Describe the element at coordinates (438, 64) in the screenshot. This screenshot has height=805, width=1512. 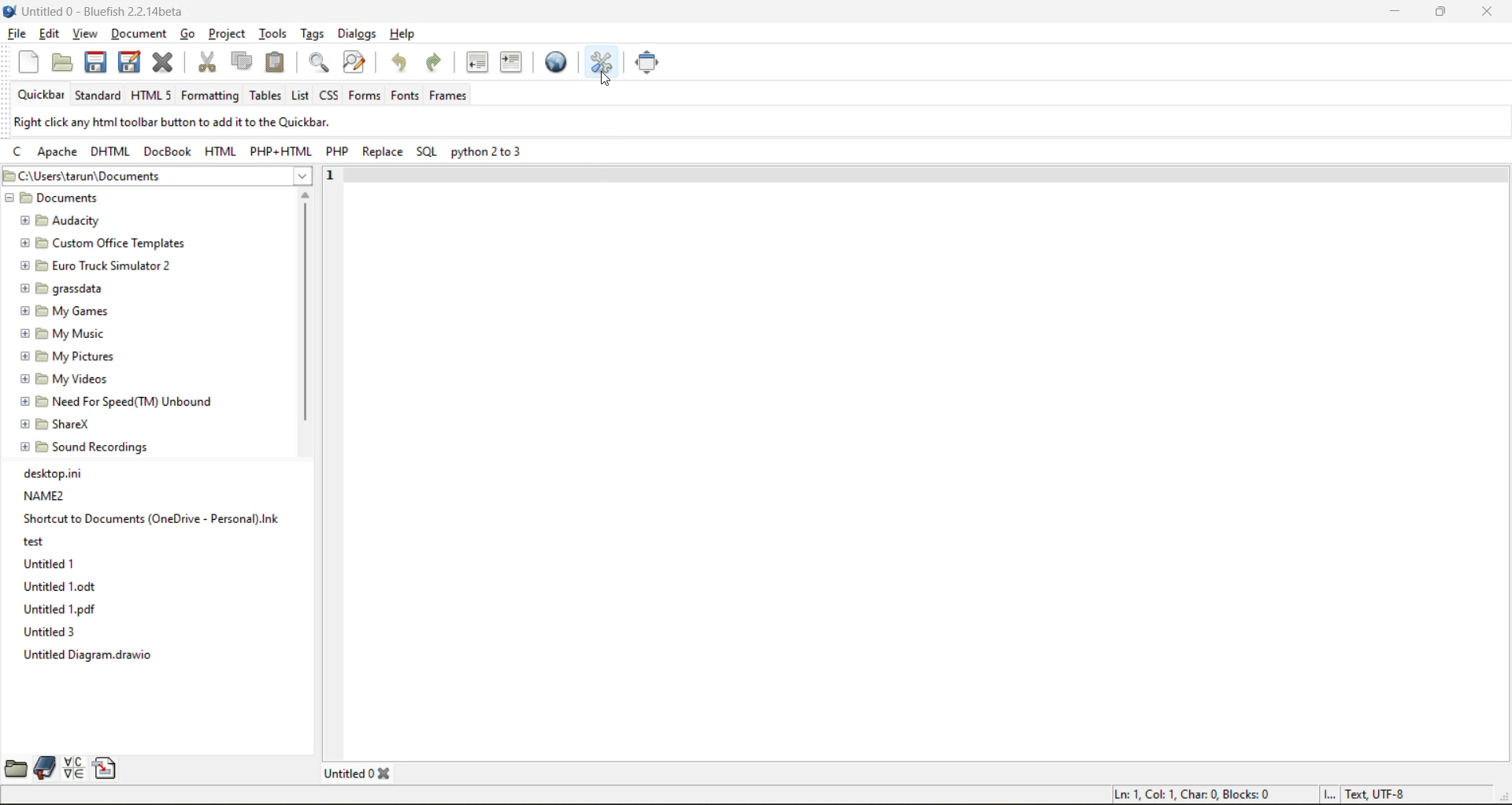
I see `redo` at that location.